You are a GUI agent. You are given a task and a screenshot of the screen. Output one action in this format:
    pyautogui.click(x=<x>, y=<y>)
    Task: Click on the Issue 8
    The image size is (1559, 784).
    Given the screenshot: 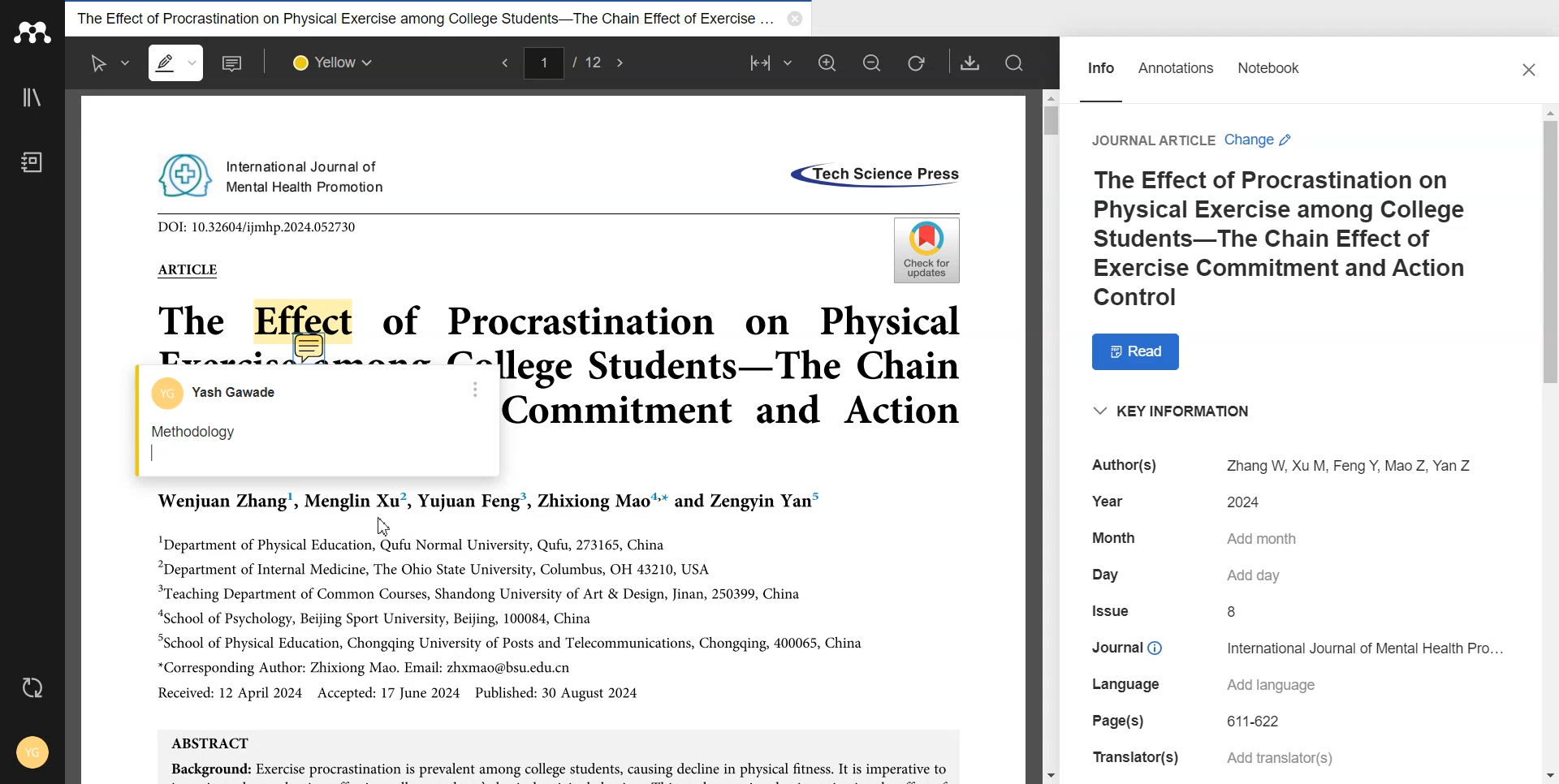 What is the action you would take?
    pyautogui.click(x=1168, y=611)
    